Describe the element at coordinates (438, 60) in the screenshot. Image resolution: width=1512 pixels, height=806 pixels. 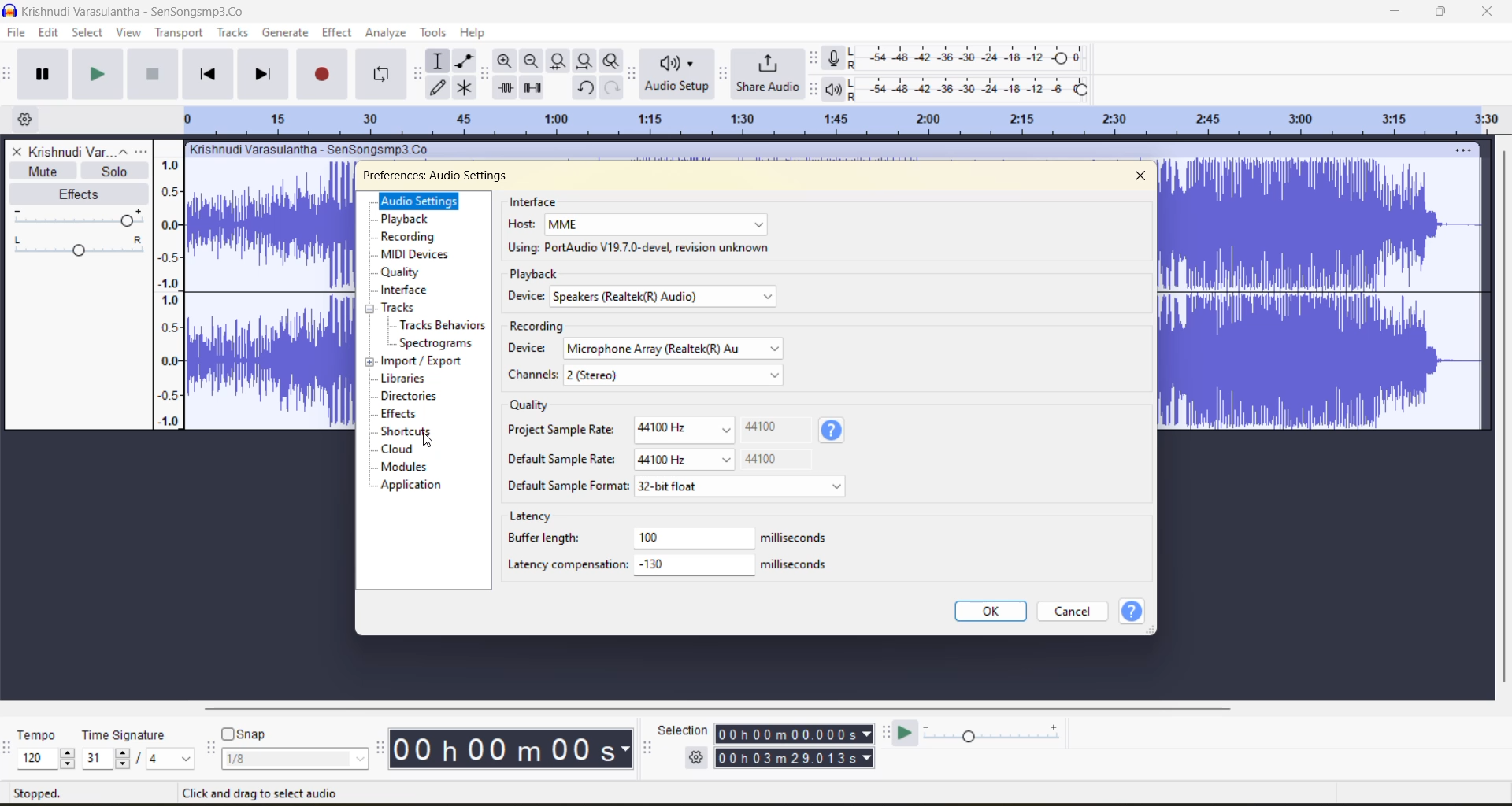
I see `selection tool` at that location.